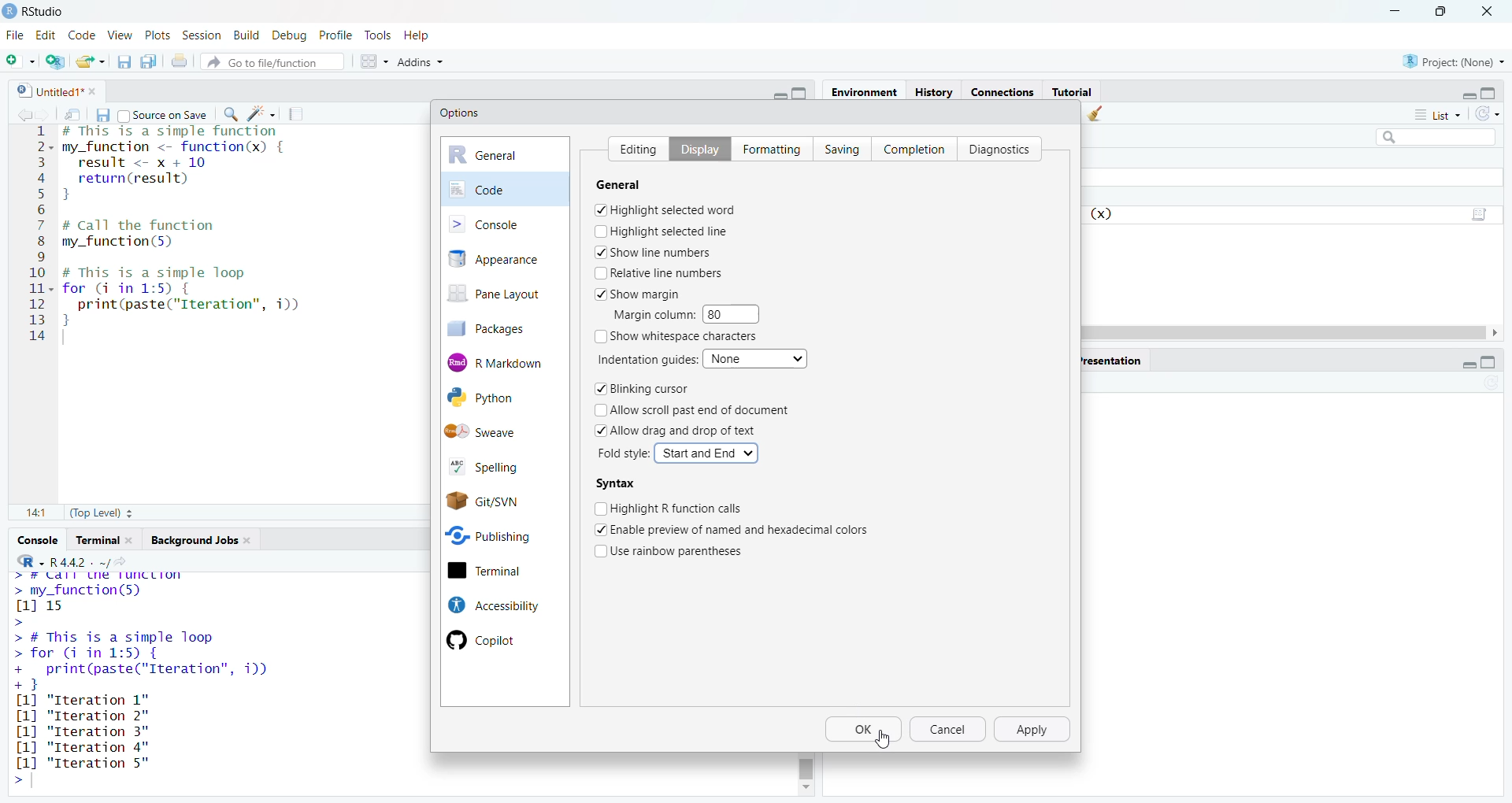 The width and height of the screenshot is (1512, 803). What do you see at coordinates (46, 113) in the screenshot?
I see `go forward to next source location` at bounding box center [46, 113].